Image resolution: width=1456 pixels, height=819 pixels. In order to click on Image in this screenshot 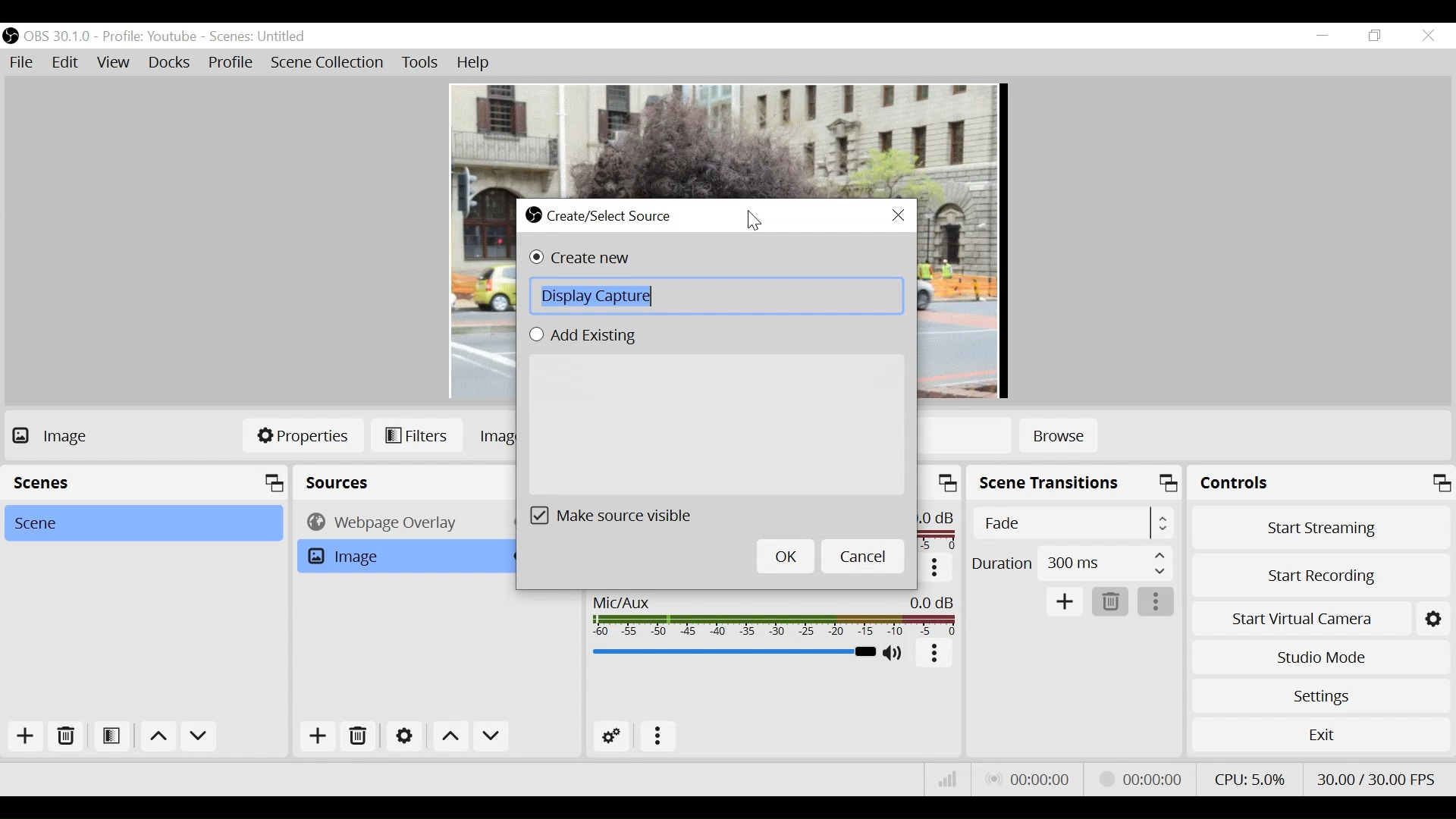, I will do `click(398, 556)`.